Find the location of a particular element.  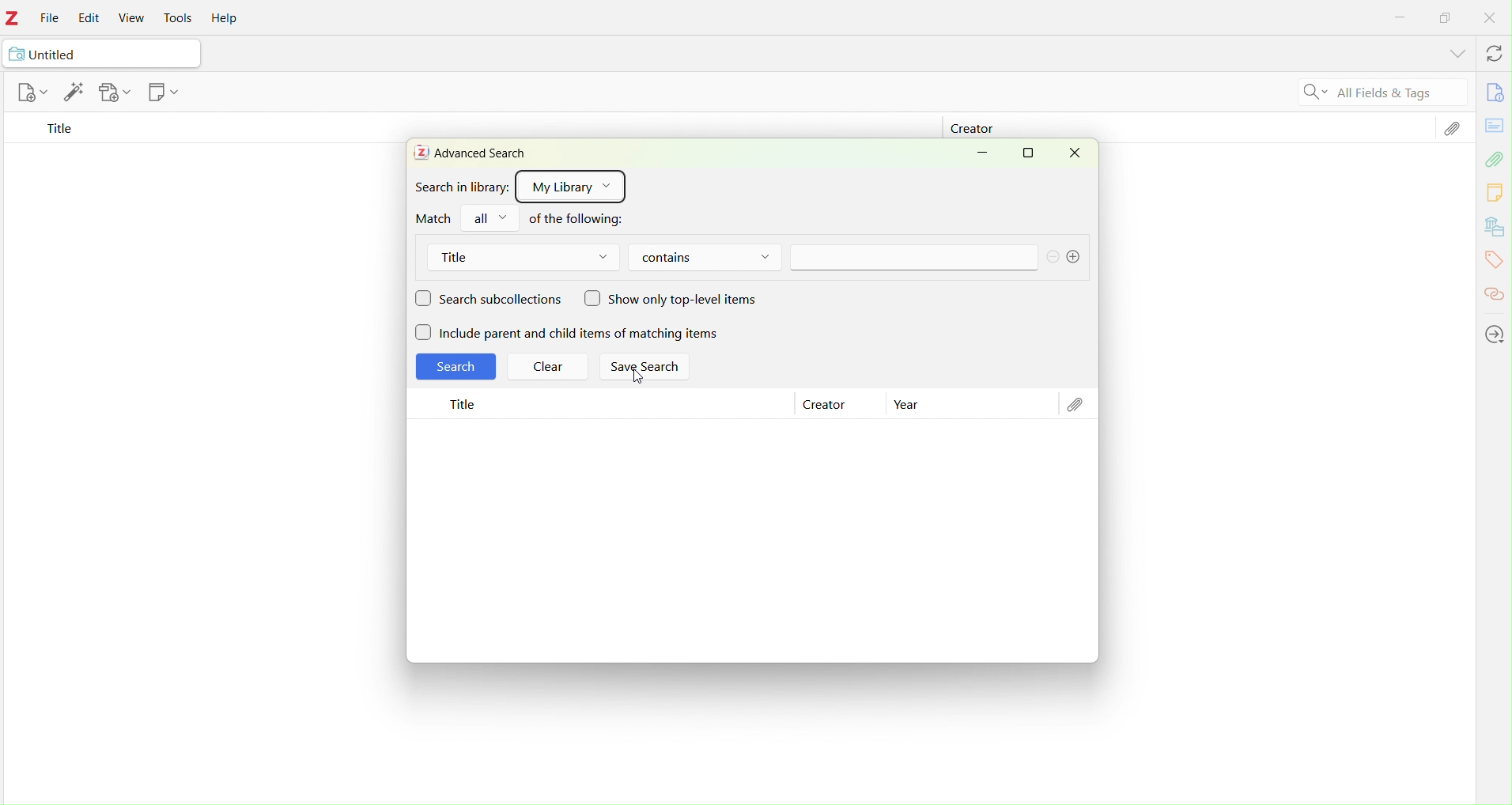

Comments is located at coordinates (1495, 194).